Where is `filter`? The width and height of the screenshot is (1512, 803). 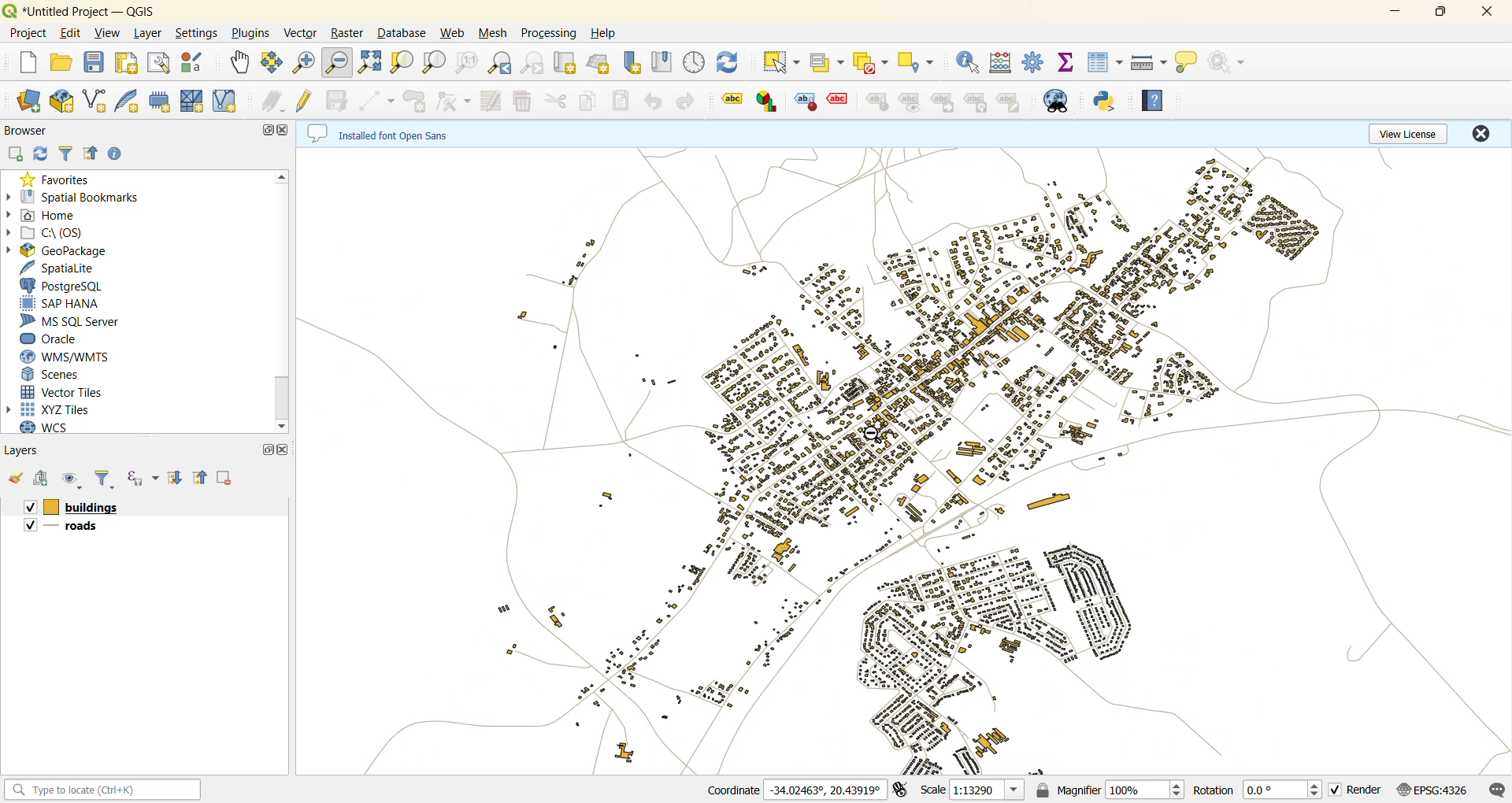 filter is located at coordinates (105, 478).